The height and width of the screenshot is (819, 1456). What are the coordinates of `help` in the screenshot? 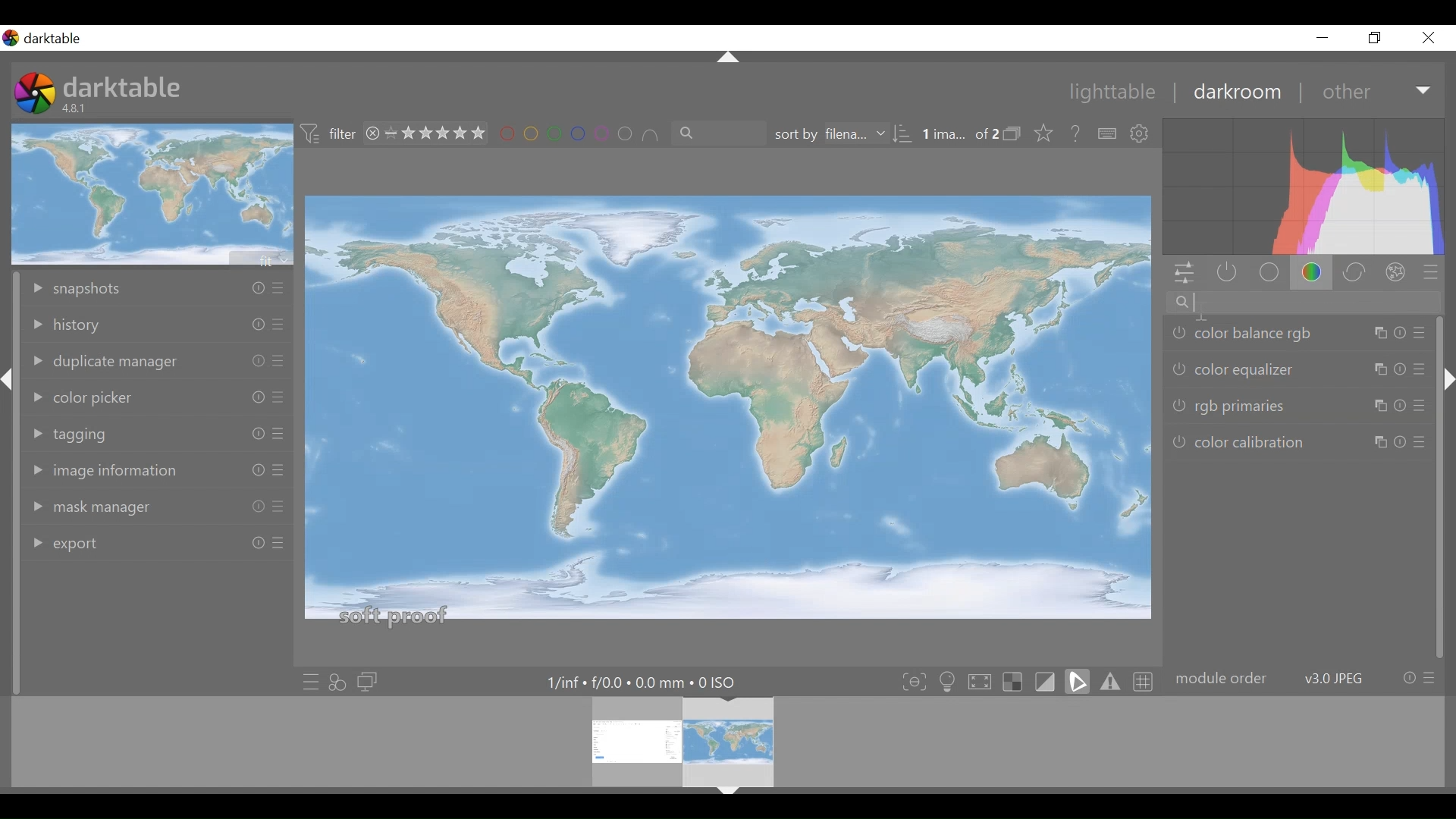 It's located at (1077, 134).